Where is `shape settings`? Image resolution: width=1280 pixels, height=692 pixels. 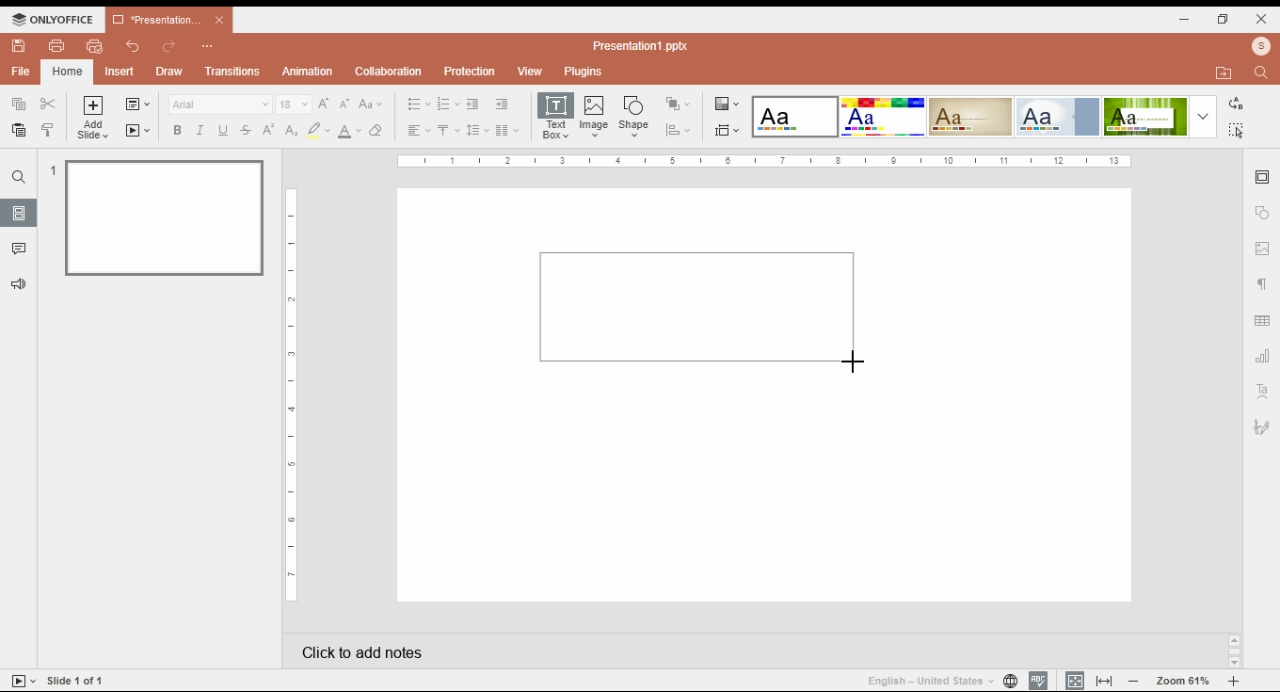 shape settings is located at coordinates (1262, 213).